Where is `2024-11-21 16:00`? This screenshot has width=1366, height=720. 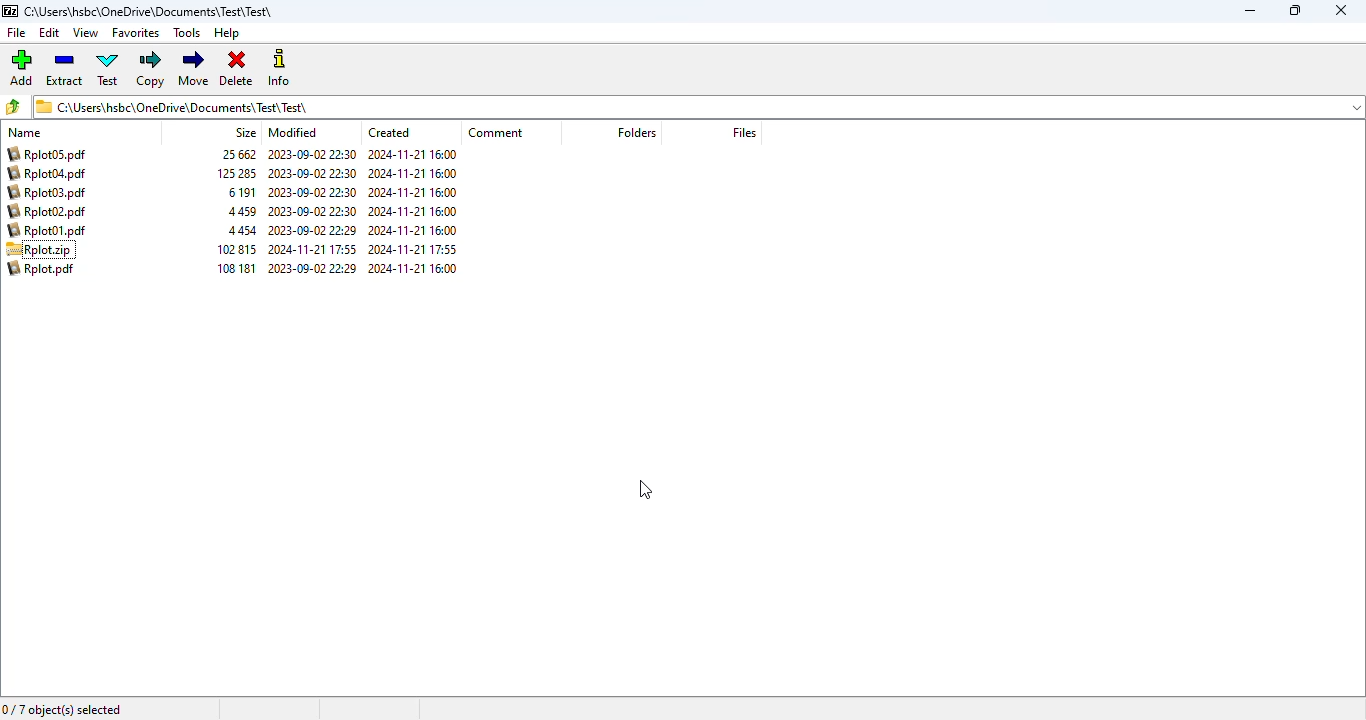 2024-11-21 16:00 is located at coordinates (415, 267).